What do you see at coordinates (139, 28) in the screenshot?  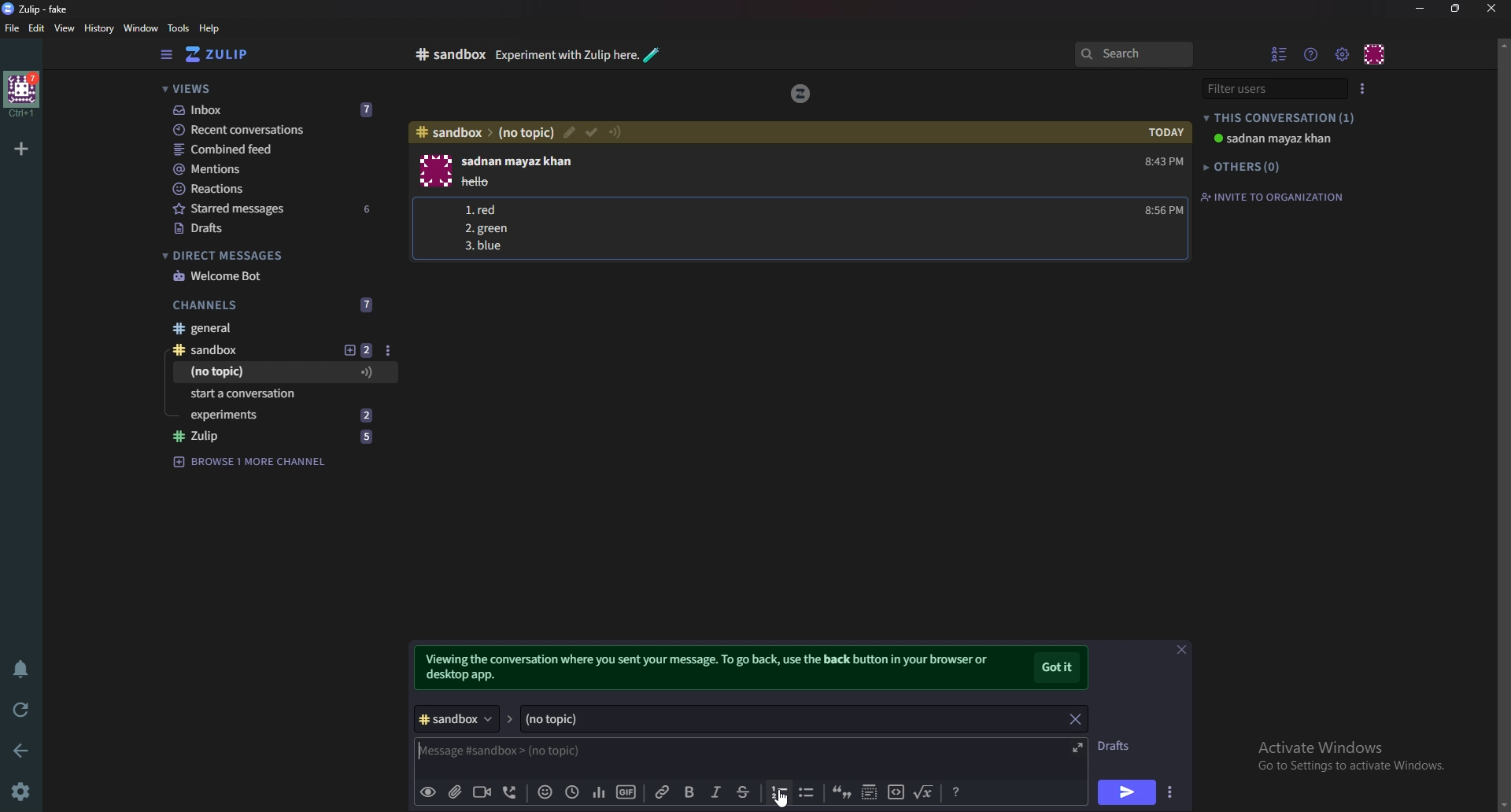 I see `Window` at bounding box center [139, 28].